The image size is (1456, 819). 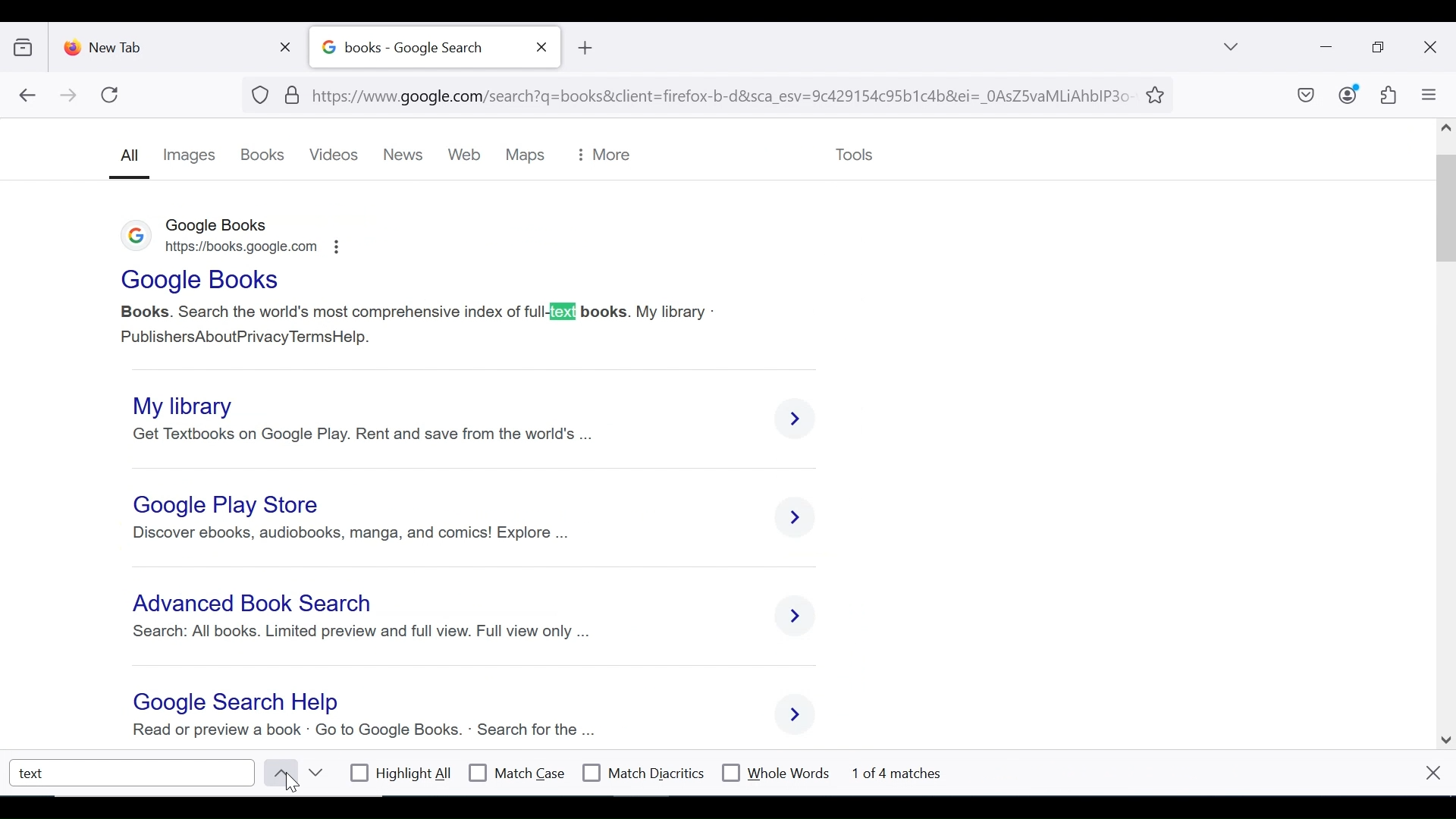 What do you see at coordinates (419, 322) in the screenshot?
I see `Books. Search the world's most comprehensive index of full-text books. My library -
PublishersAboutPrivacy TermsHelp.` at bounding box center [419, 322].